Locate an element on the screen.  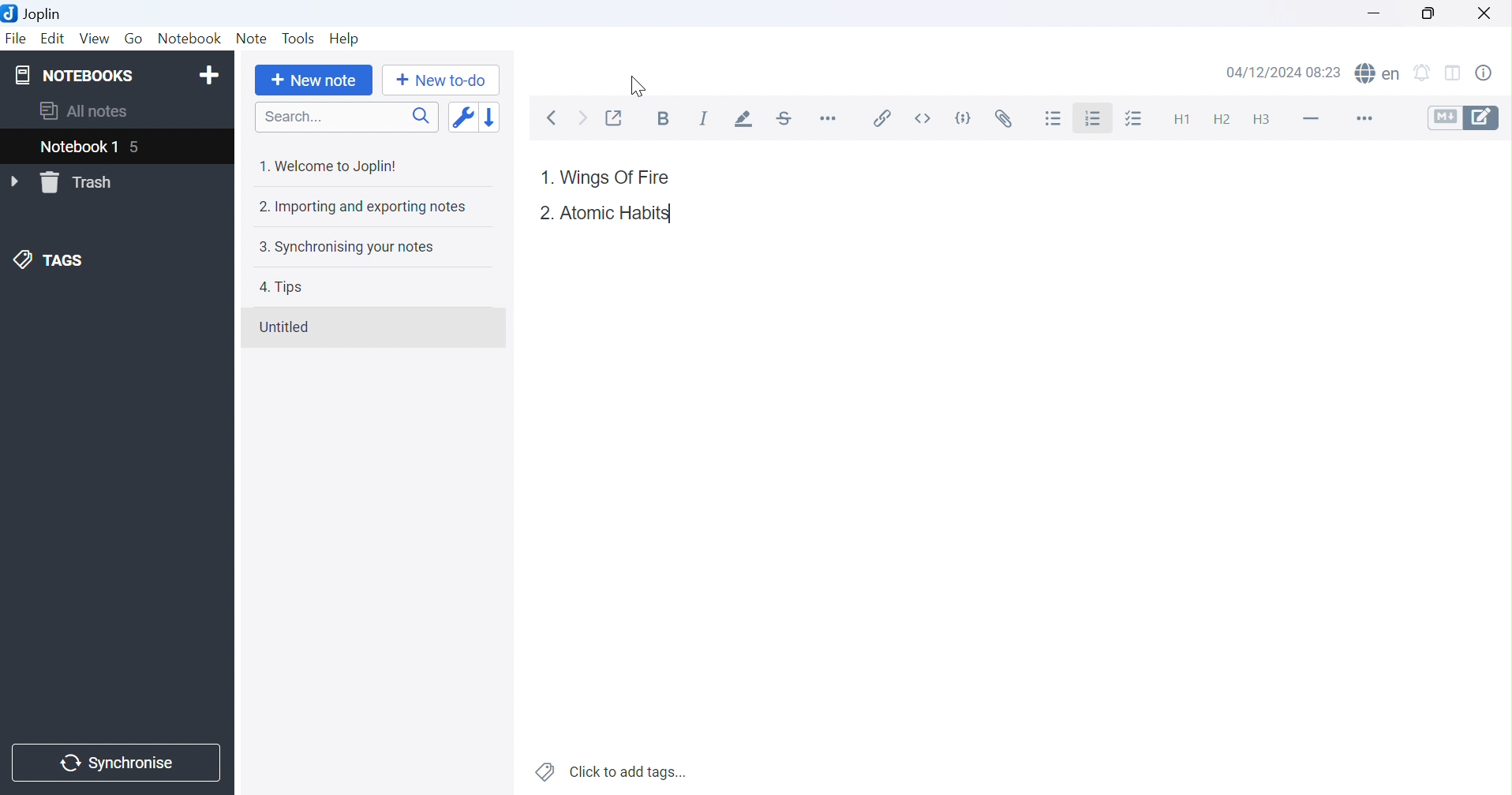
Close is located at coordinates (1486, 11).